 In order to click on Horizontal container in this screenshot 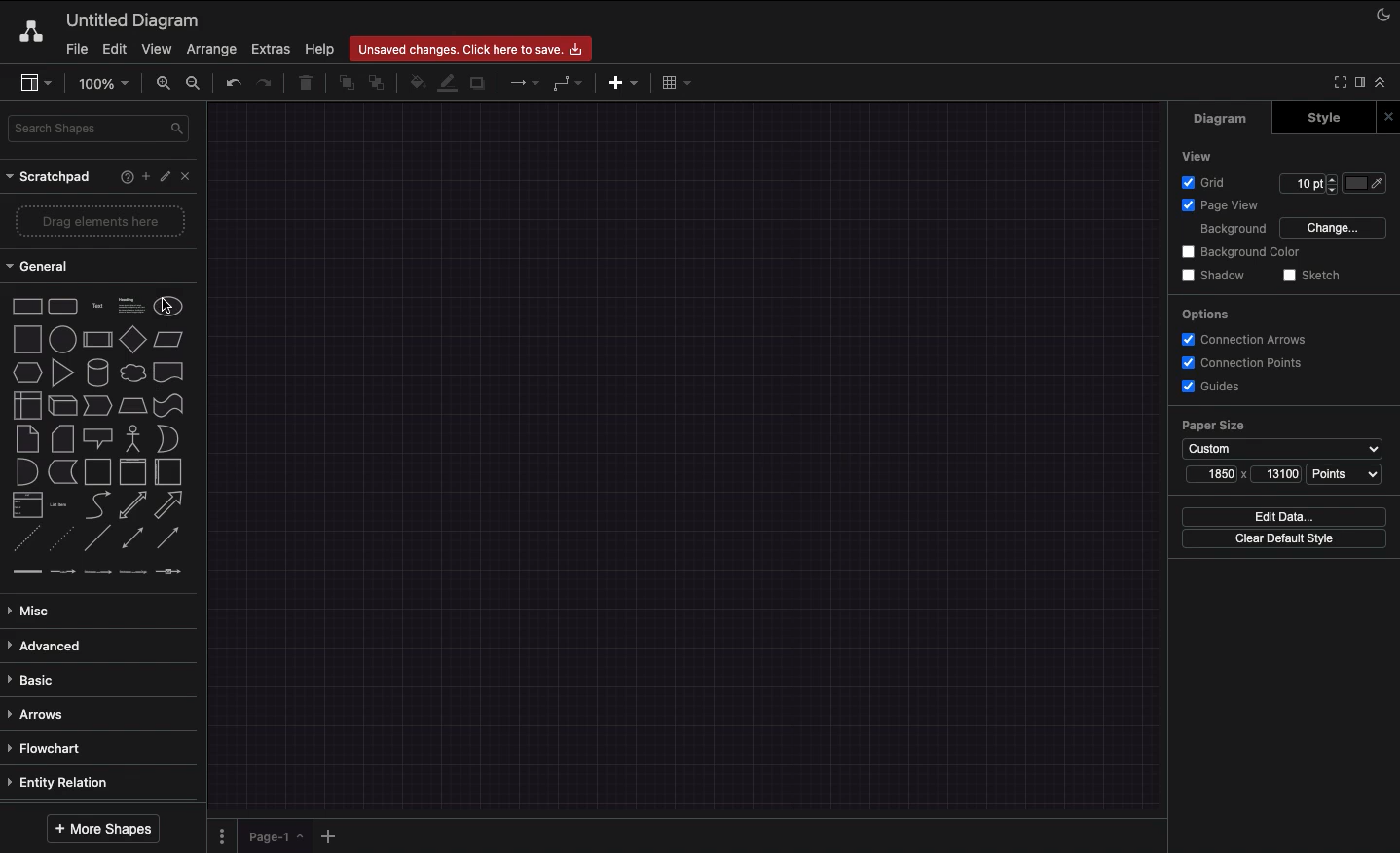, I will do `click(169, 471)`.